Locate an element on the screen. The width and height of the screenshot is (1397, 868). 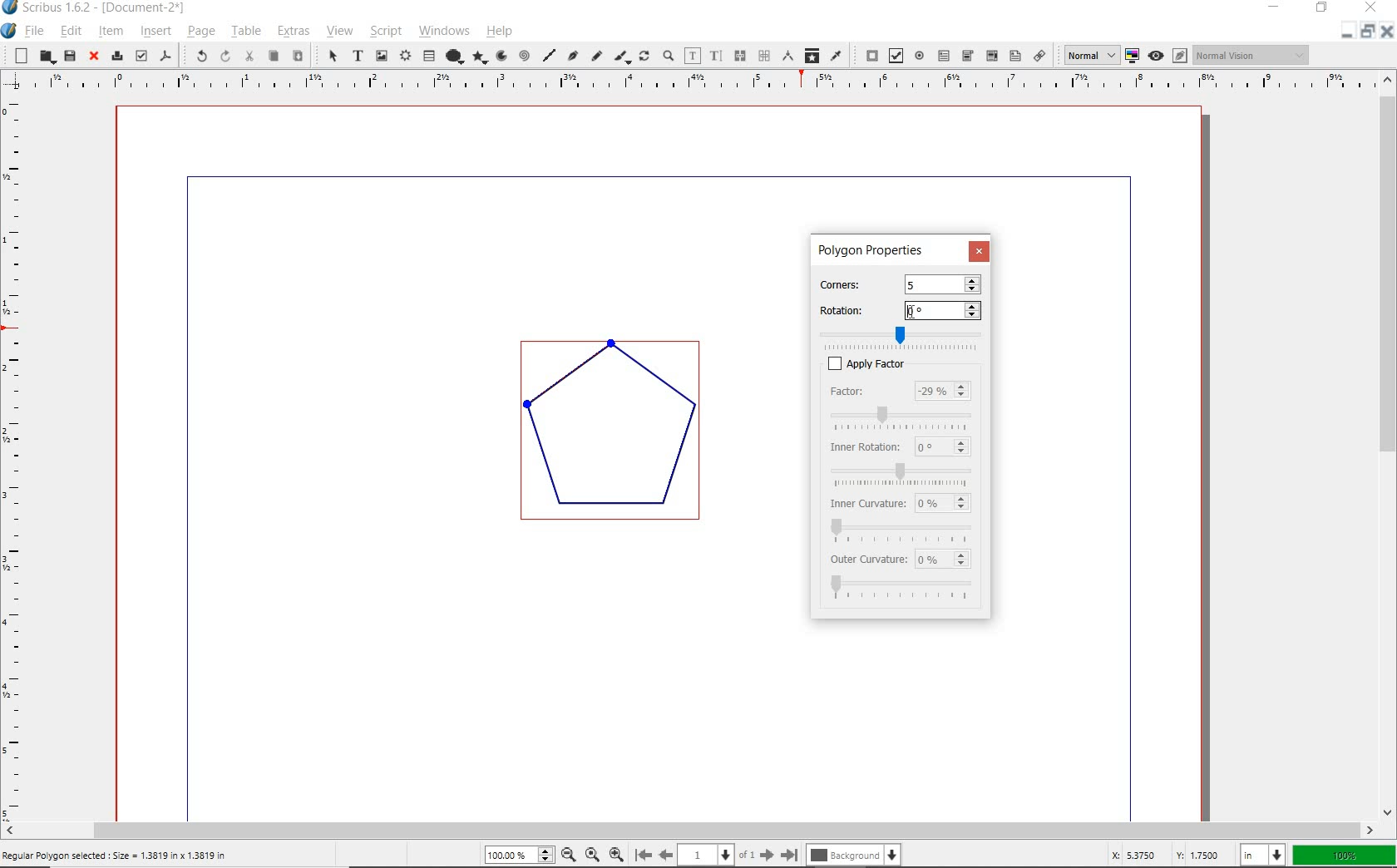
minimise is located at coordinates (1343, 32).